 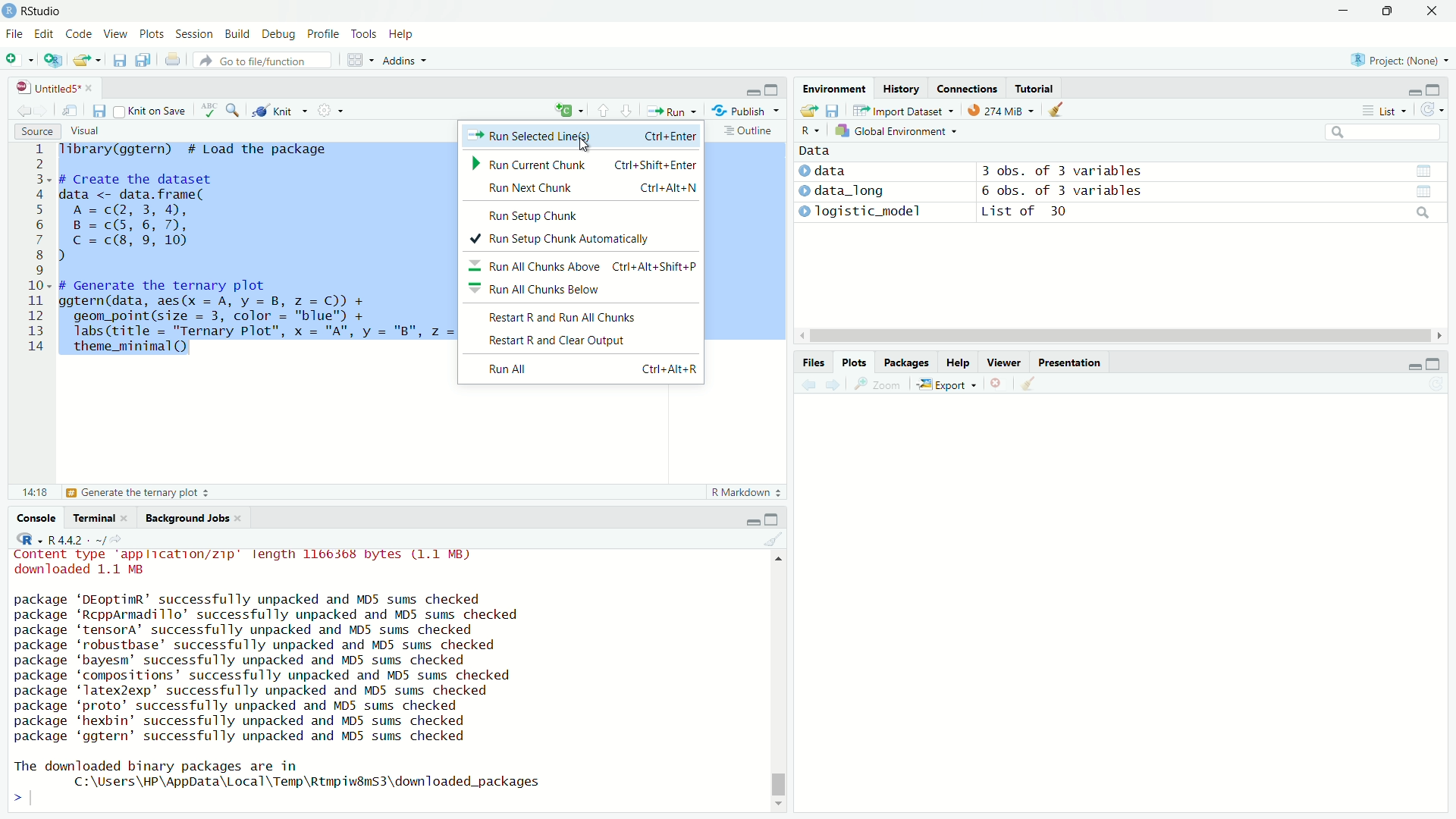 I want to click on clear, so click(x=1028, y=383).